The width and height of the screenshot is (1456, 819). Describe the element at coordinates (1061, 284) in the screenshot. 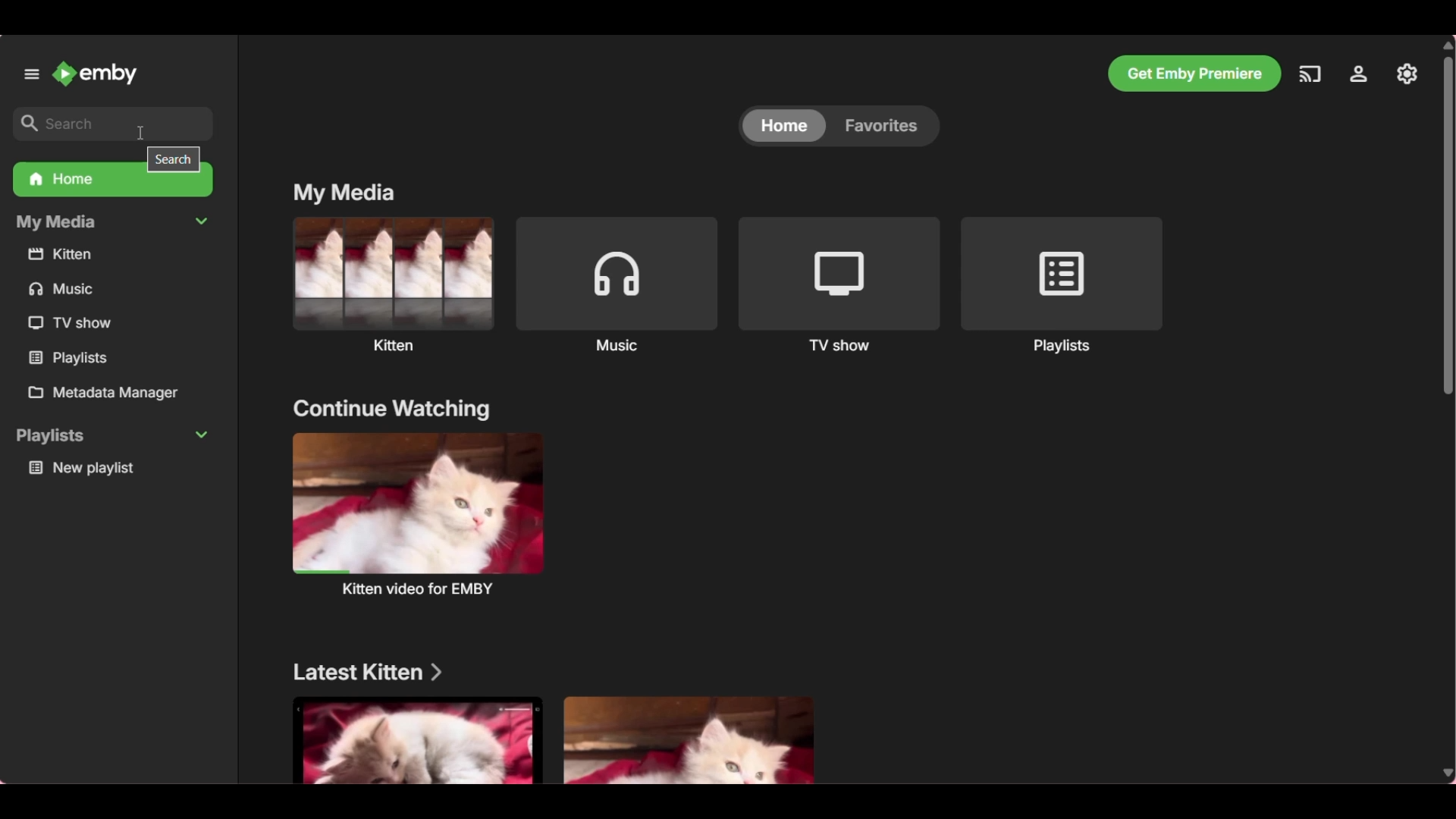

I see `Playlists` at that location.